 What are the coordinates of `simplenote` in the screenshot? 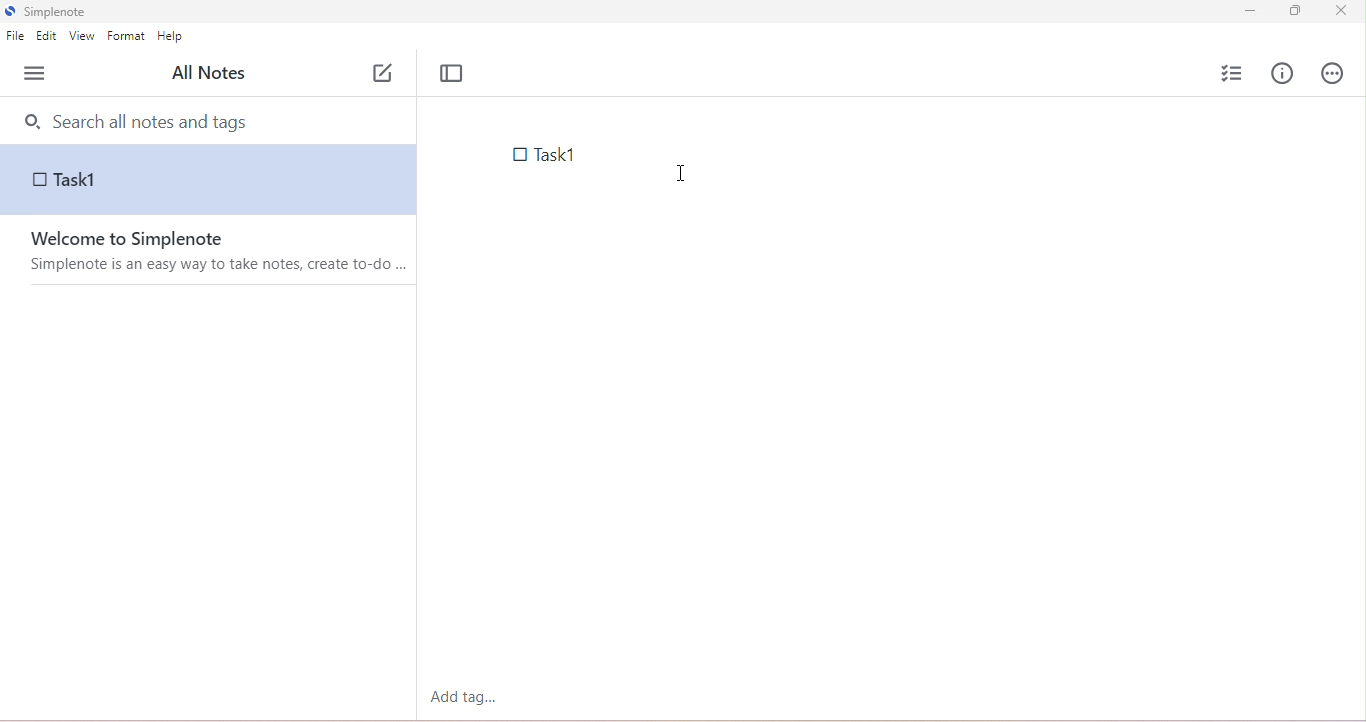 It's located at (54, 13).